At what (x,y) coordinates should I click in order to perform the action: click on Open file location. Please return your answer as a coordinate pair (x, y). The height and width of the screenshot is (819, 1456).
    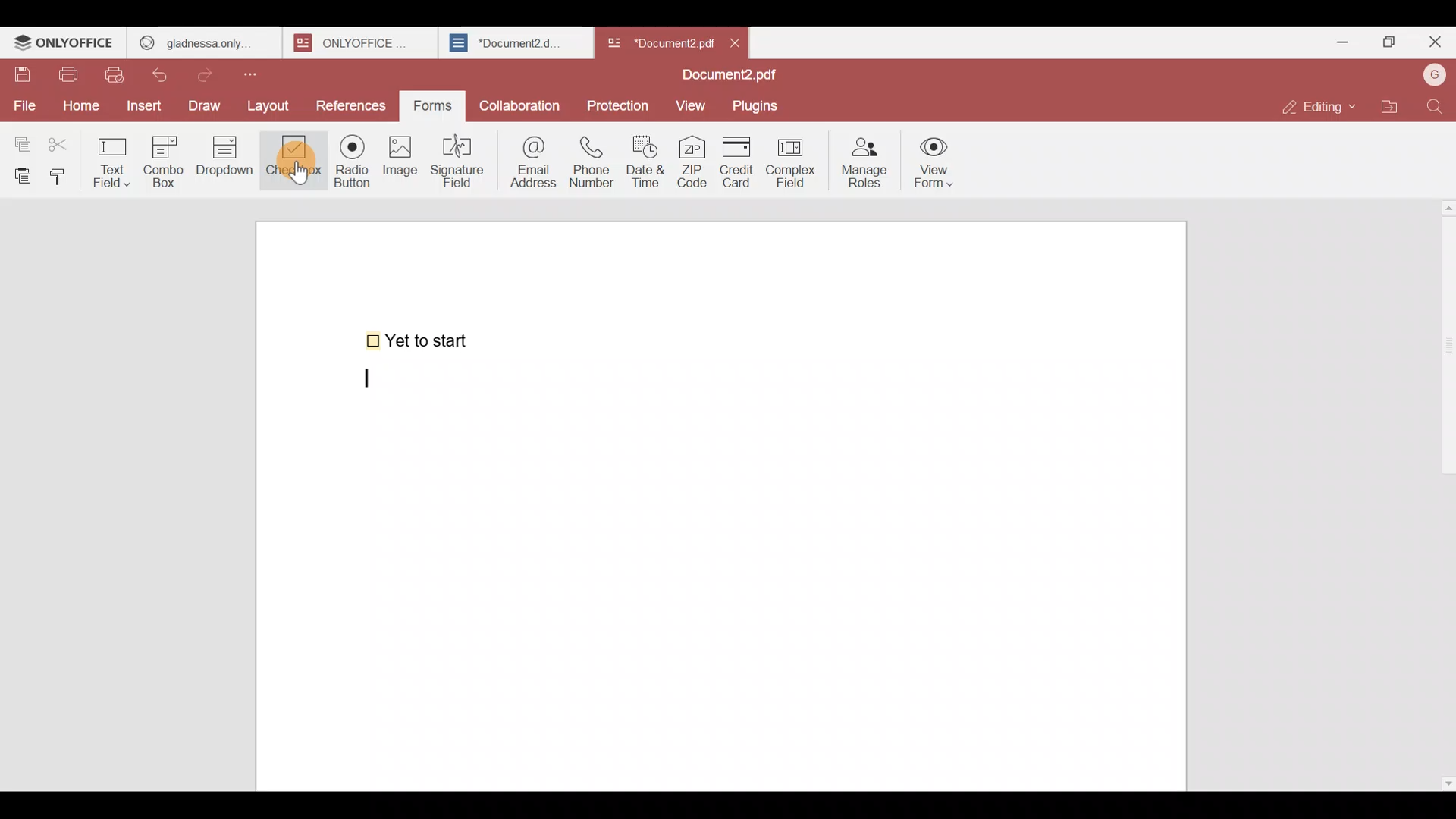
    Looking at the image, I should click on (1389, 105).